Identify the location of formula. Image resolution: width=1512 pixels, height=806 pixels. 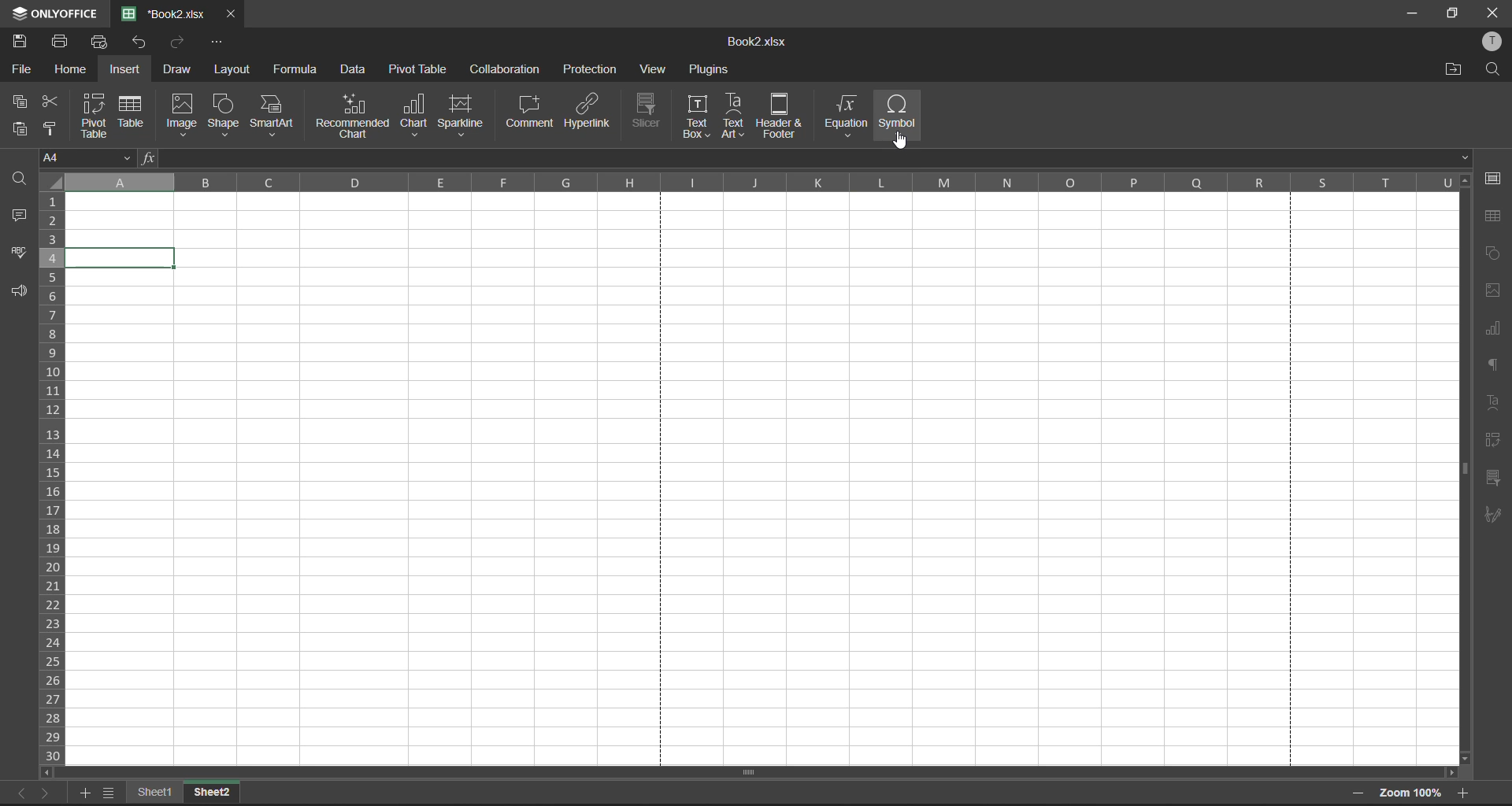
(293, 71).